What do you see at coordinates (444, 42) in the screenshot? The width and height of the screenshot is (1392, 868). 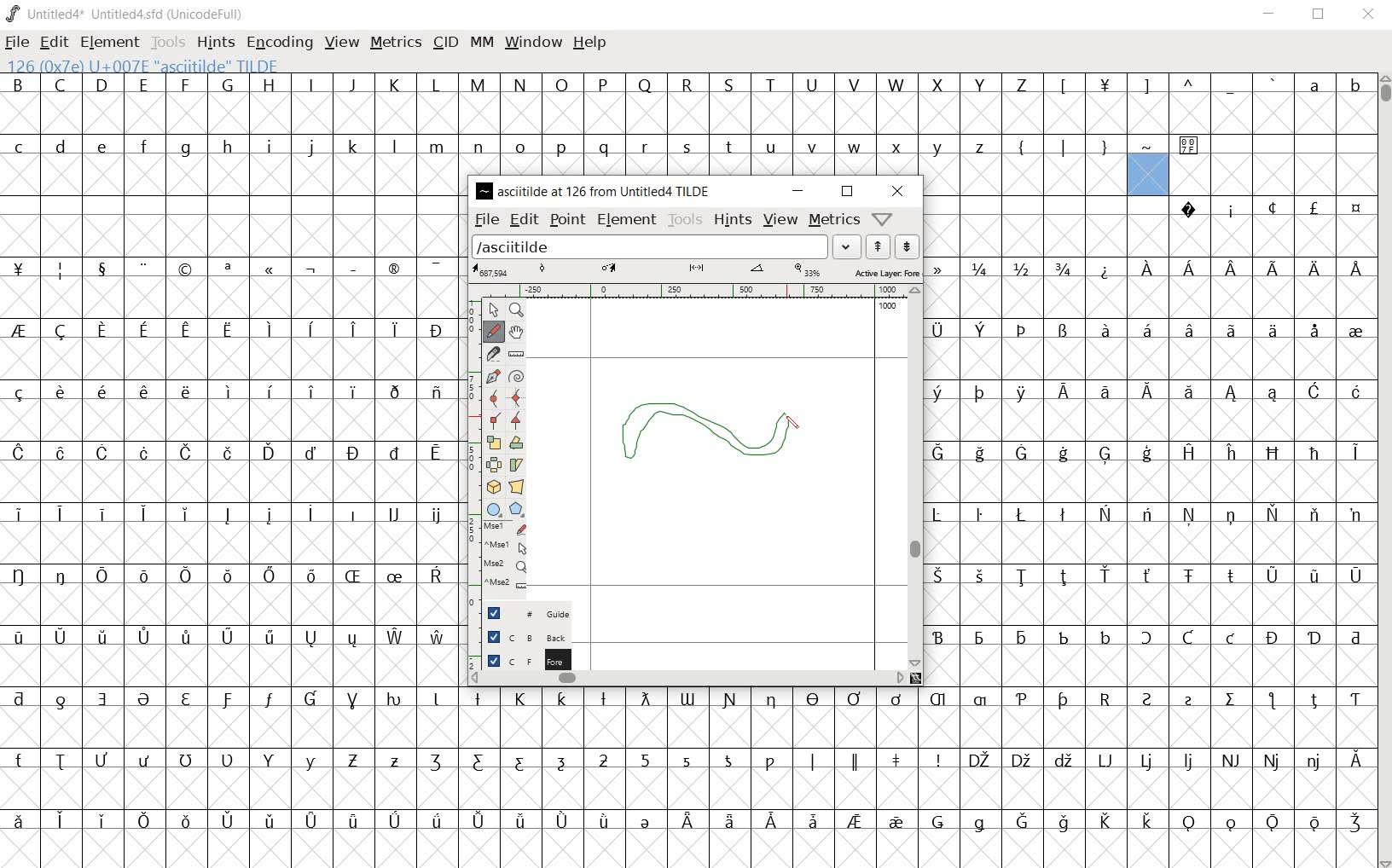 I see `CID` at bounding box center [444, 42].